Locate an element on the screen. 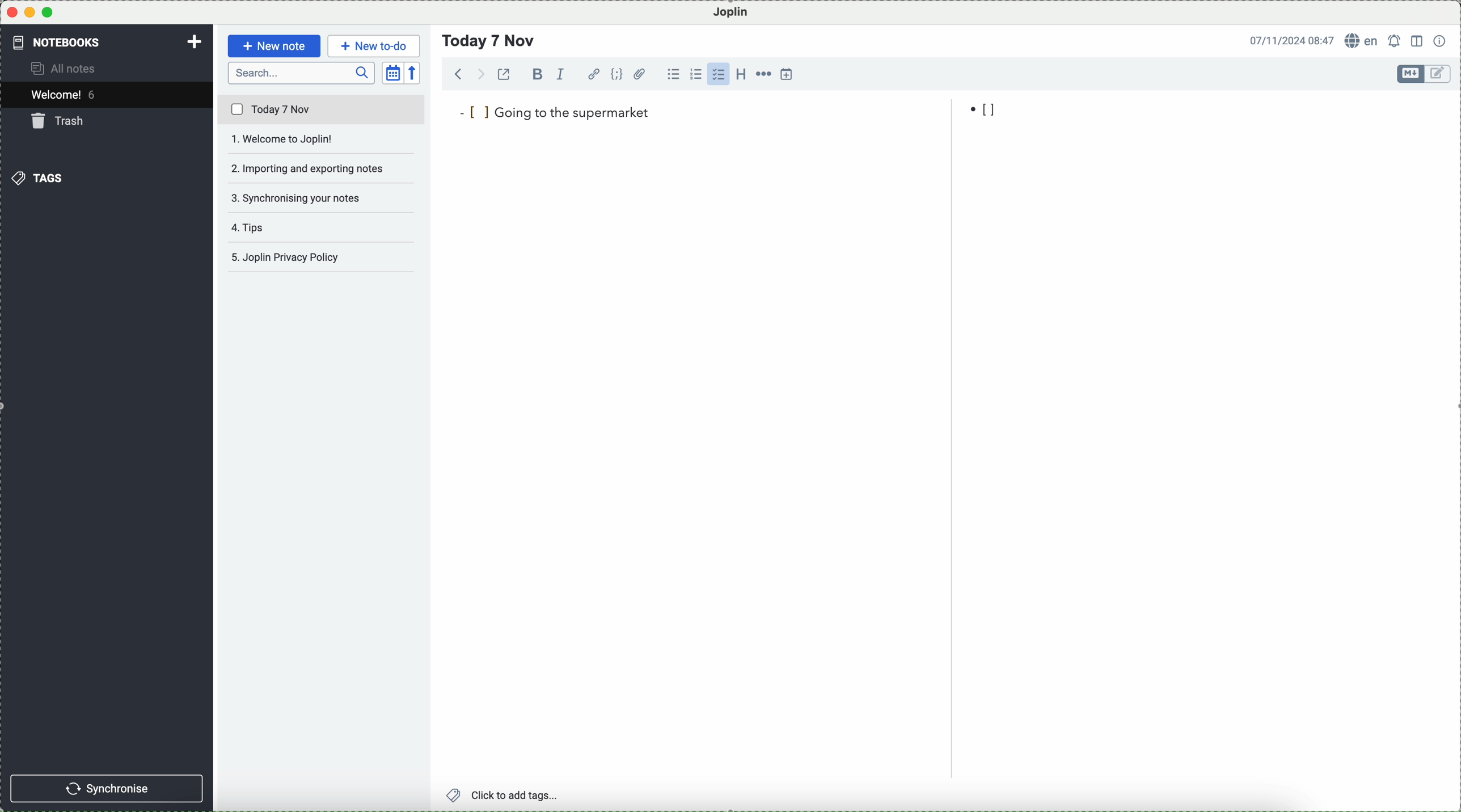 The height and width of the screenshot is (812, 1461). Joplin privacy policy is located at coordinates (316, 257).